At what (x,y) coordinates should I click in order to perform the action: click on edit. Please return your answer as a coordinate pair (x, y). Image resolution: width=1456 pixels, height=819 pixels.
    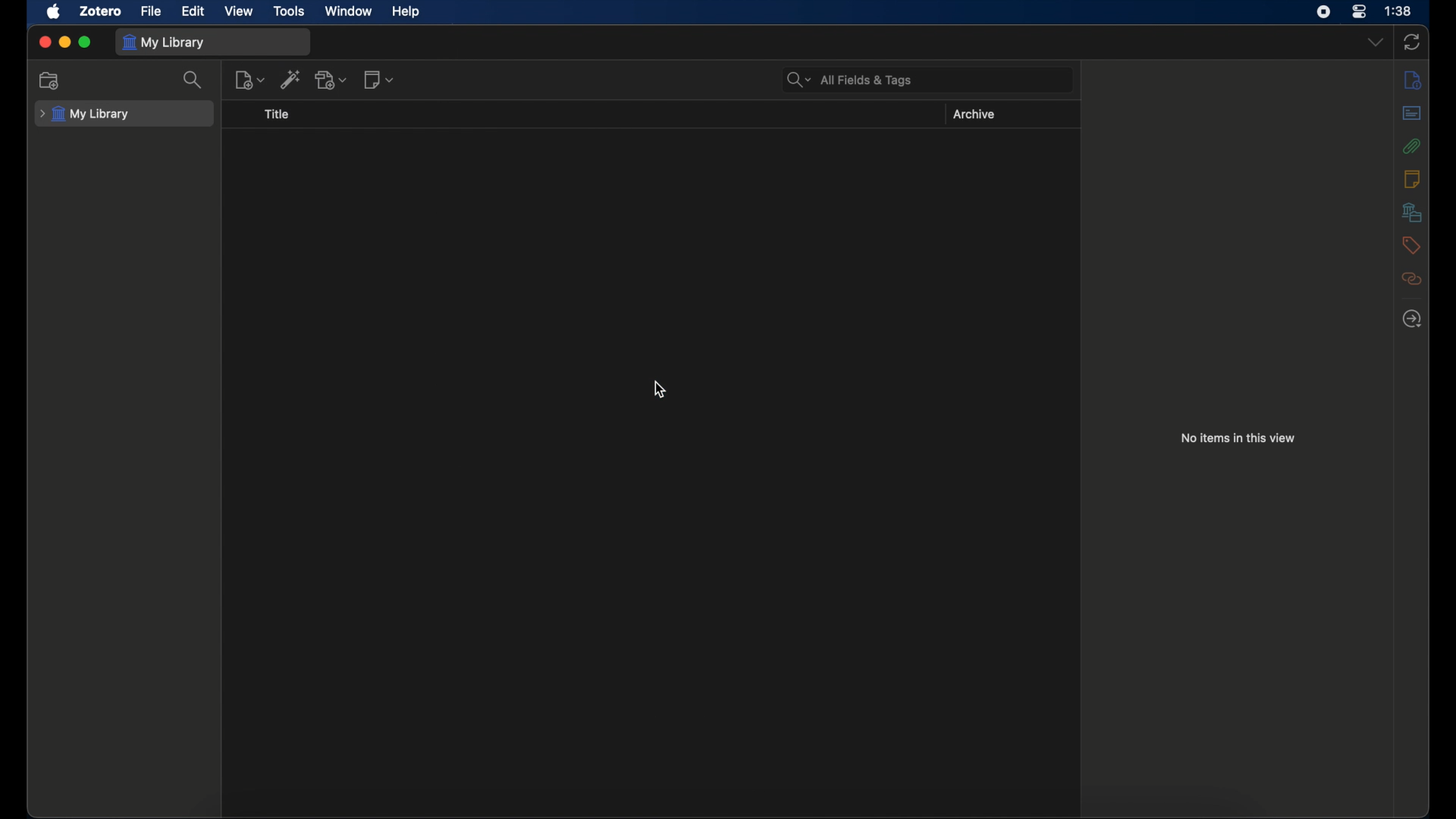
    Looking at the image, I should click on (193, 10).